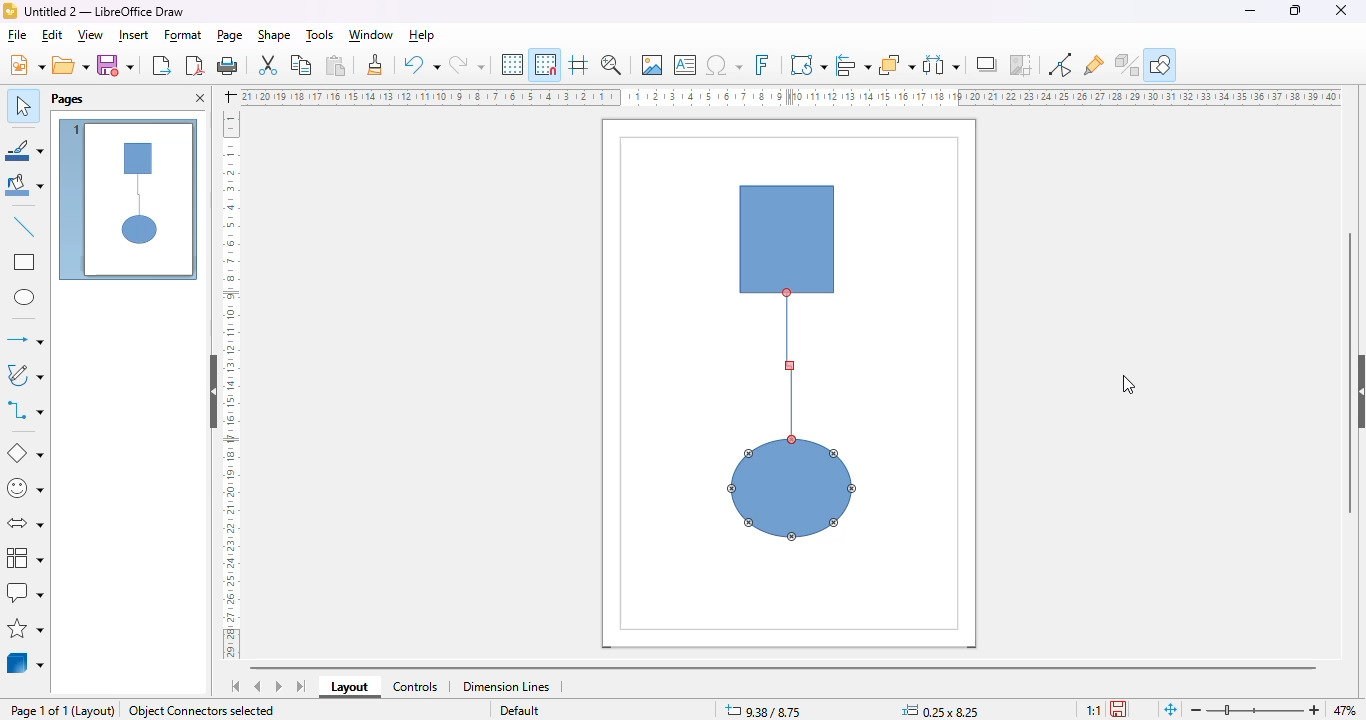  What do you see at coordinates (301, 65) in the screenshot?
I see `copy` at bounding box center [301, 65].